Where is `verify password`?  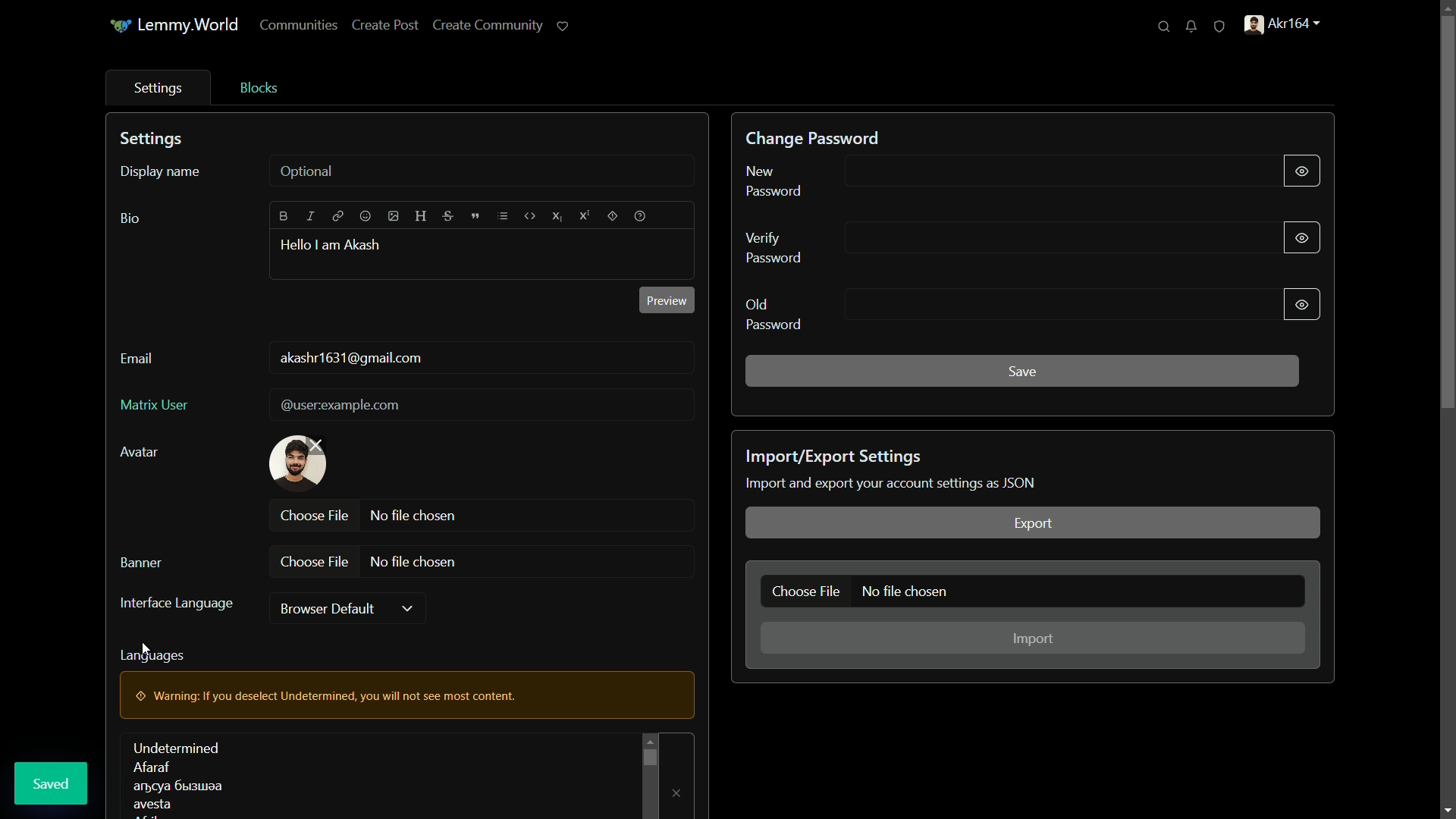 verify password is located at coordinates (774, 246).